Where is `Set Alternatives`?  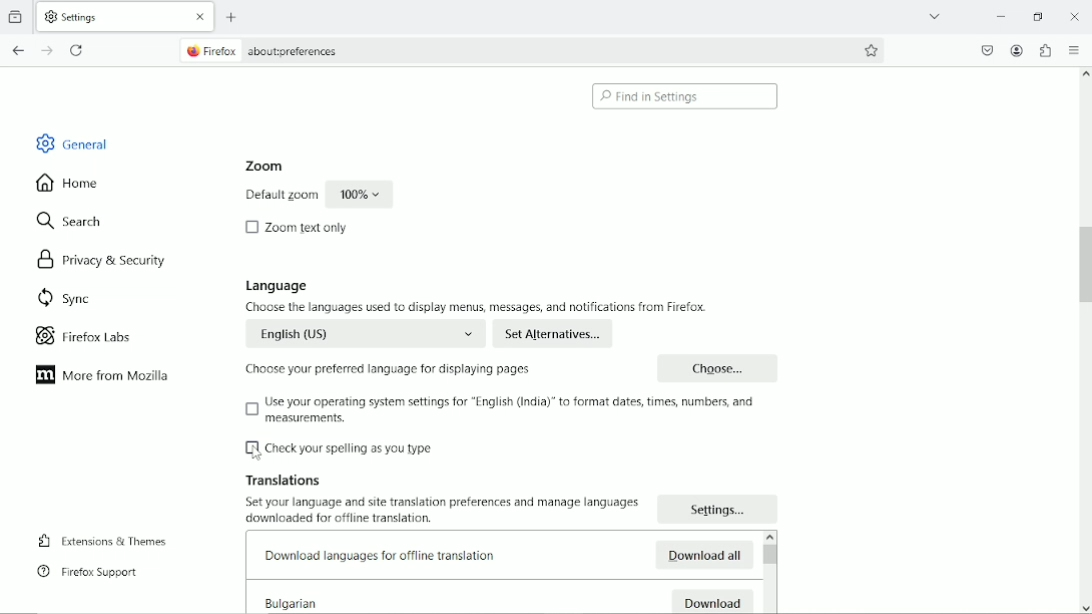
Set Alternatives is located at coordinates (549, 336).